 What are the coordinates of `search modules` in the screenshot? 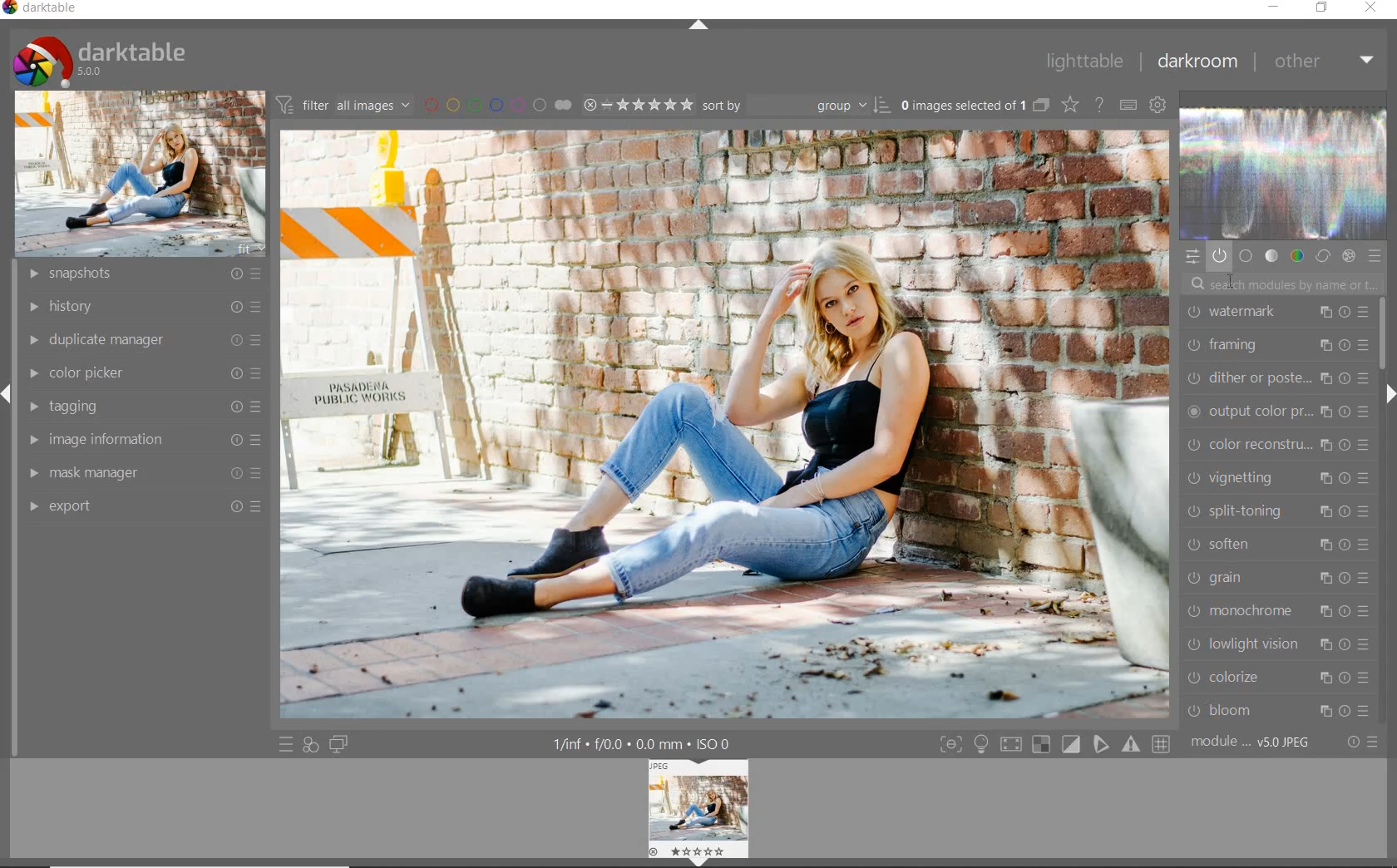 It's located at (1279, 283).